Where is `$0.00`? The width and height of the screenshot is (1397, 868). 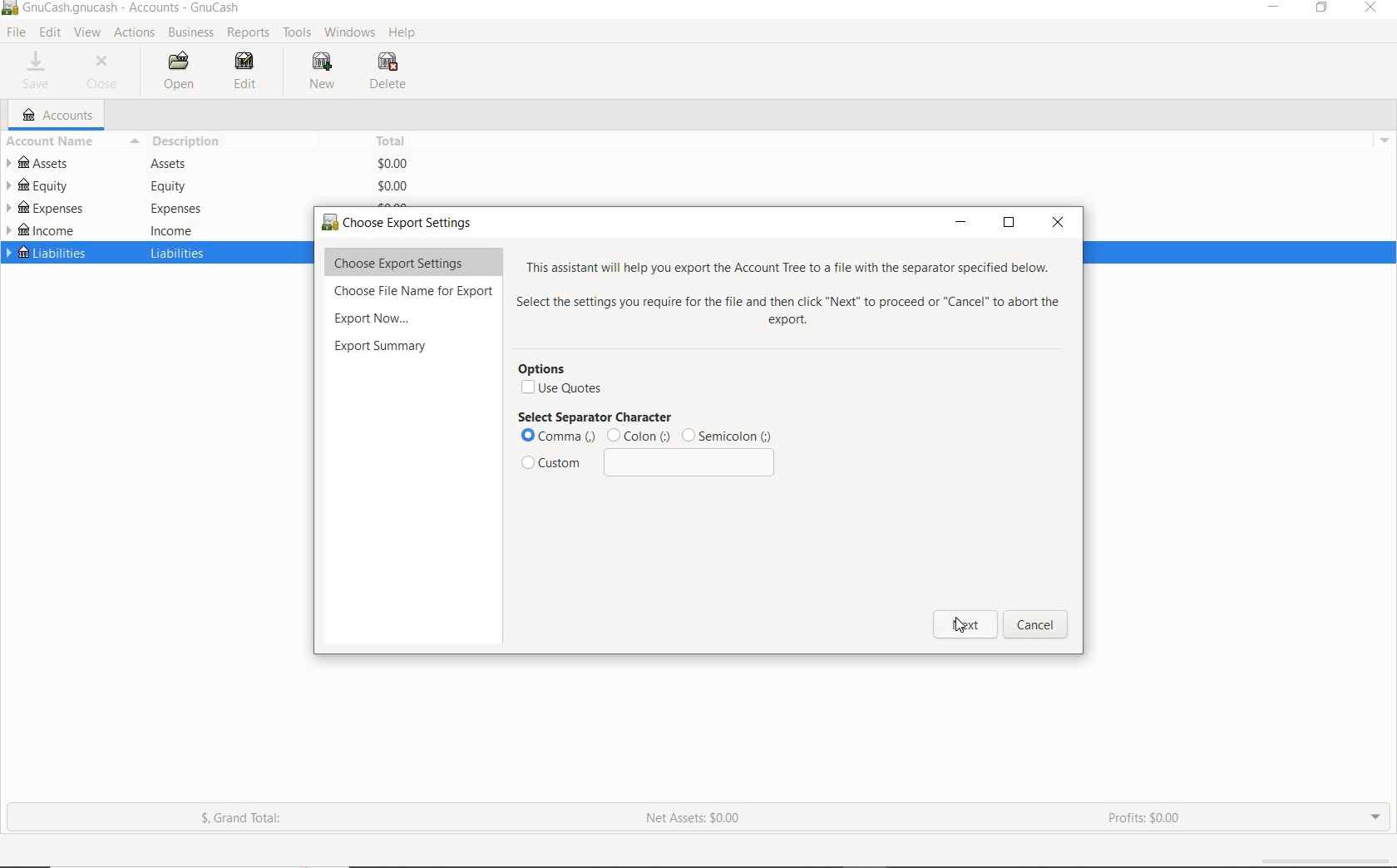
$0.00 is located at coordinates (394, 186).